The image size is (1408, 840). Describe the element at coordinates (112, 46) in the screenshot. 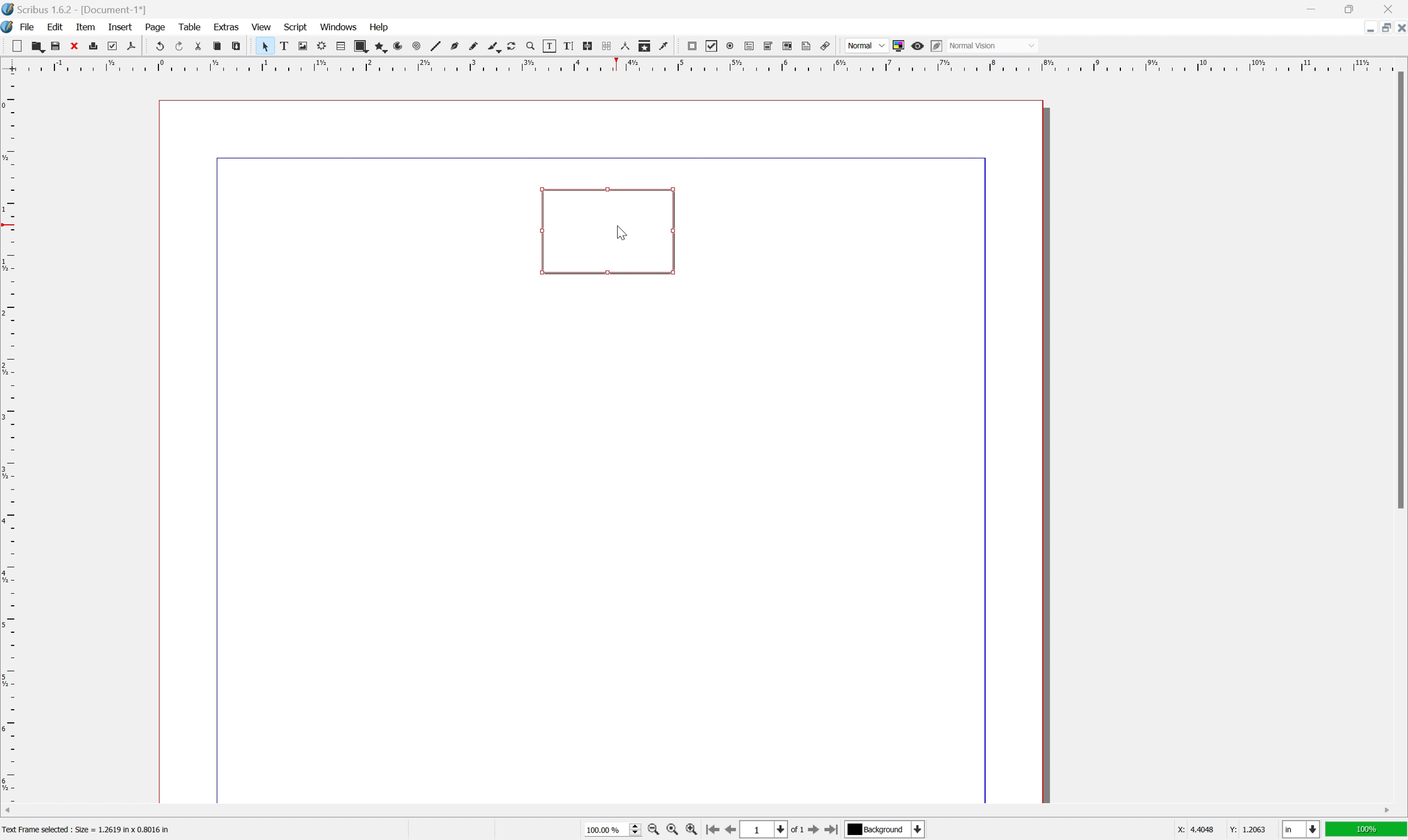

I see `preflight verifier` at that location.